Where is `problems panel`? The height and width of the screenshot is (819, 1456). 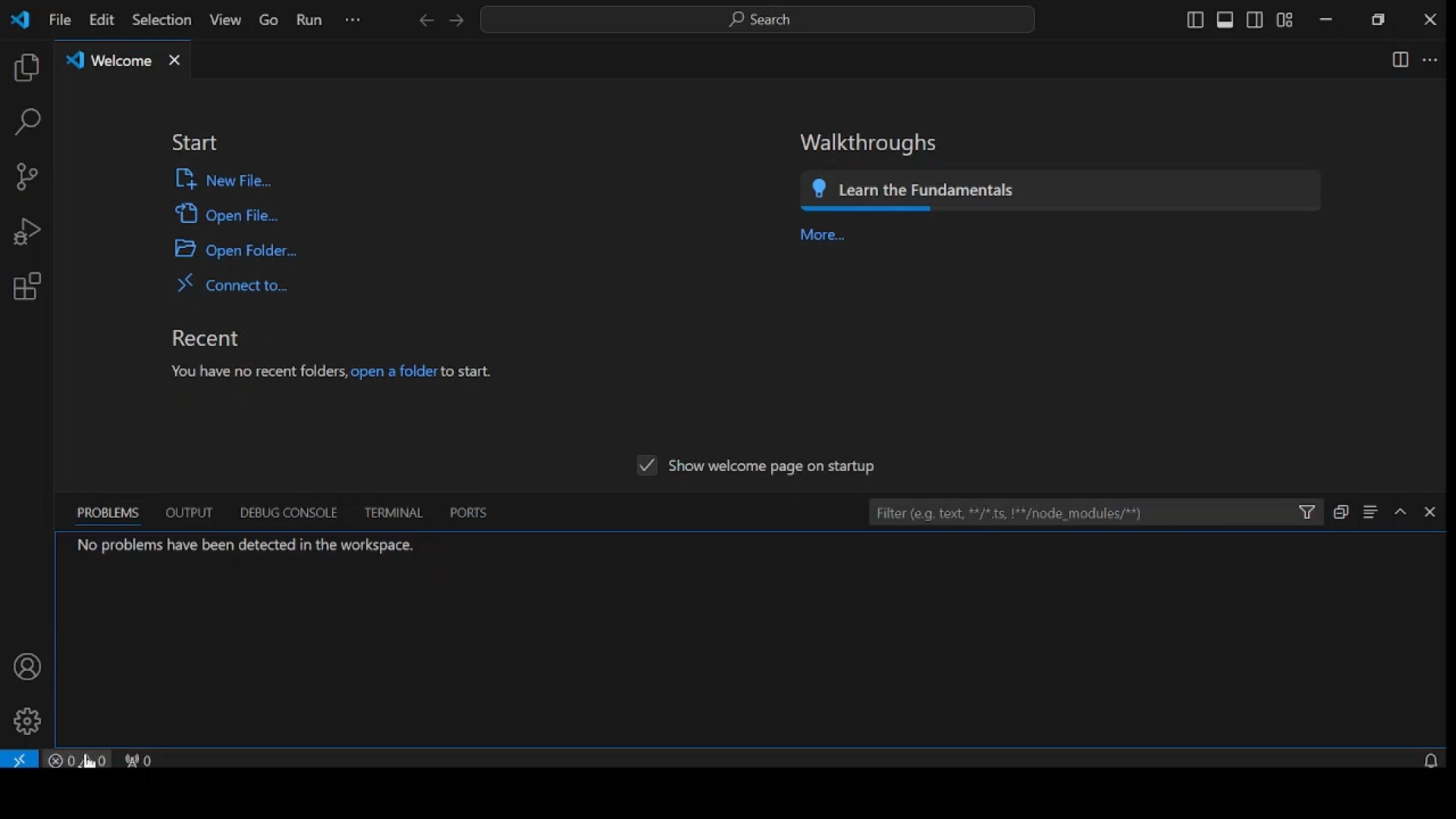
problems panel is located at coordinates (81, 760).